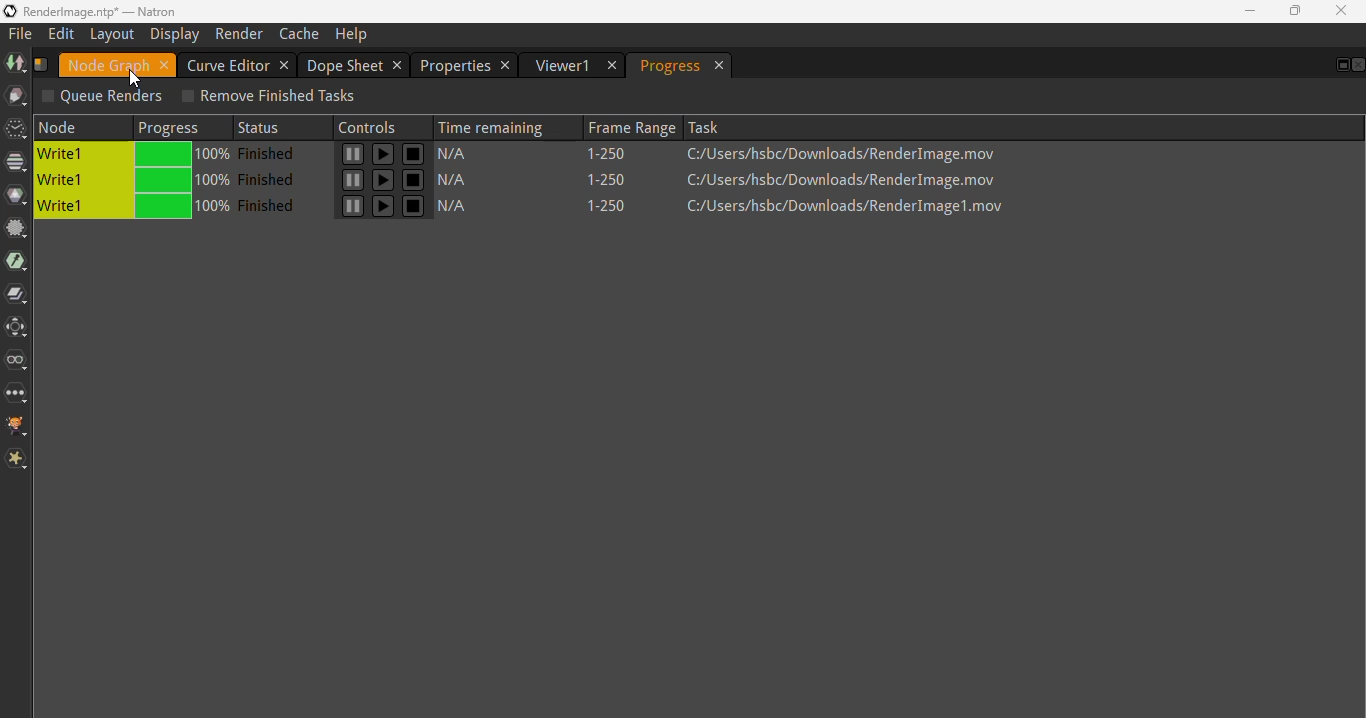  What do you see at coordinates (849, 207) in the screenshot?
I see `task location` at bounding box center [849, 207].